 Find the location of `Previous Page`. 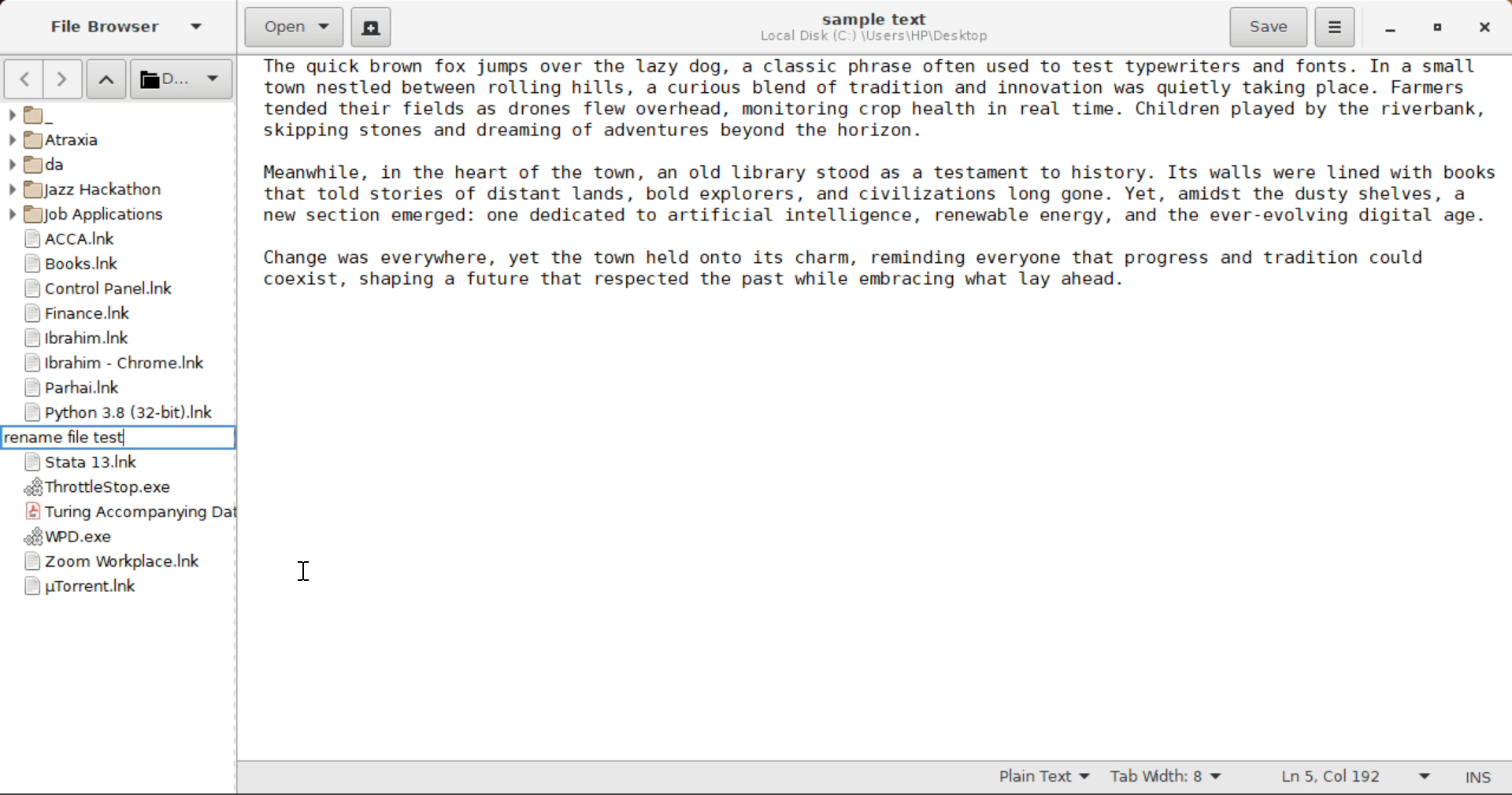

Previous Page is located at coordinates (23, 79).